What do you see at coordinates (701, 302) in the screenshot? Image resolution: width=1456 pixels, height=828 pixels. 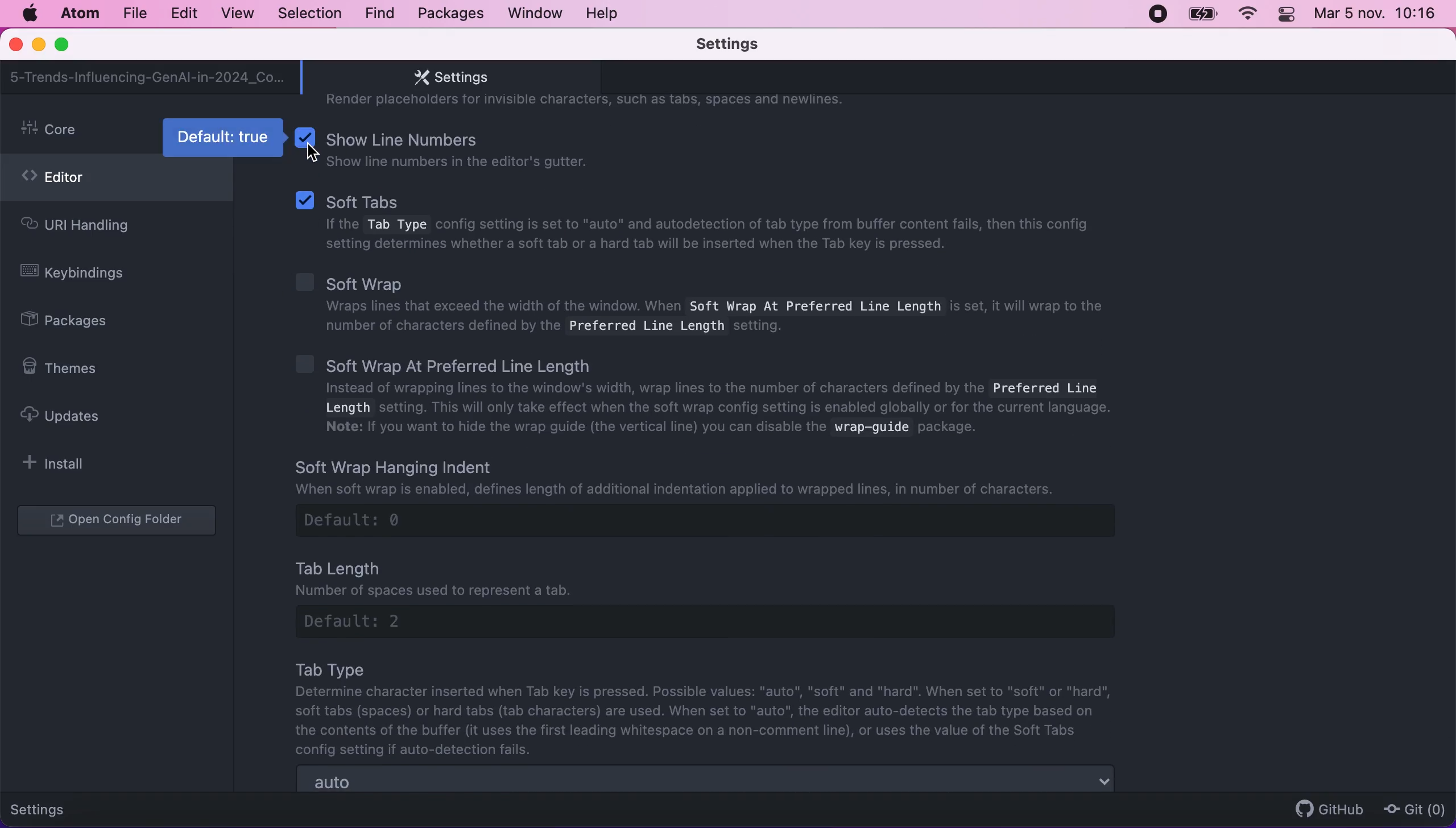 I see `soft wrap` at bounding box center [701, 302].